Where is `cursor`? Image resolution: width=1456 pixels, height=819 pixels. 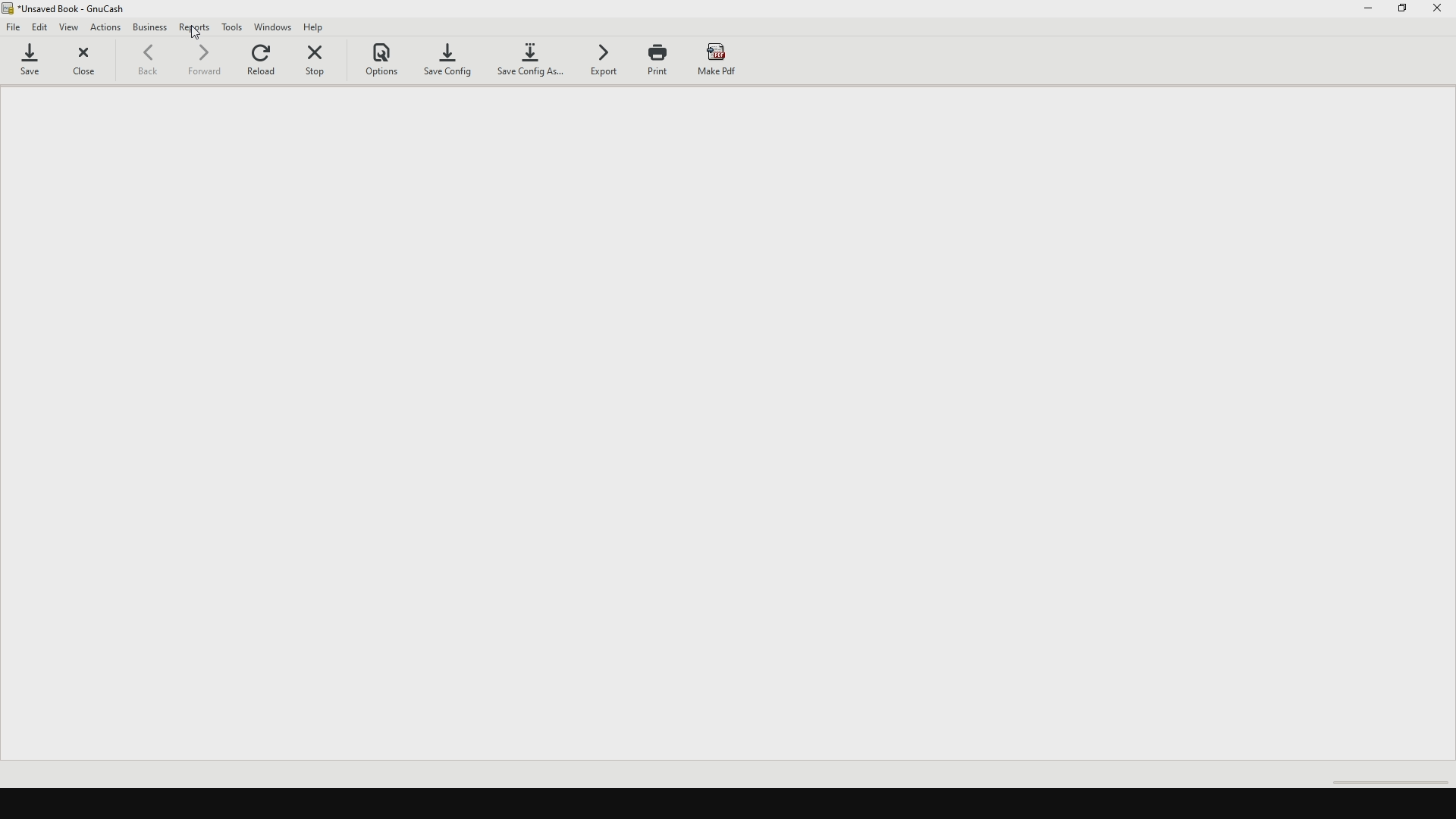
cursor is located at coordinates (196, 37).